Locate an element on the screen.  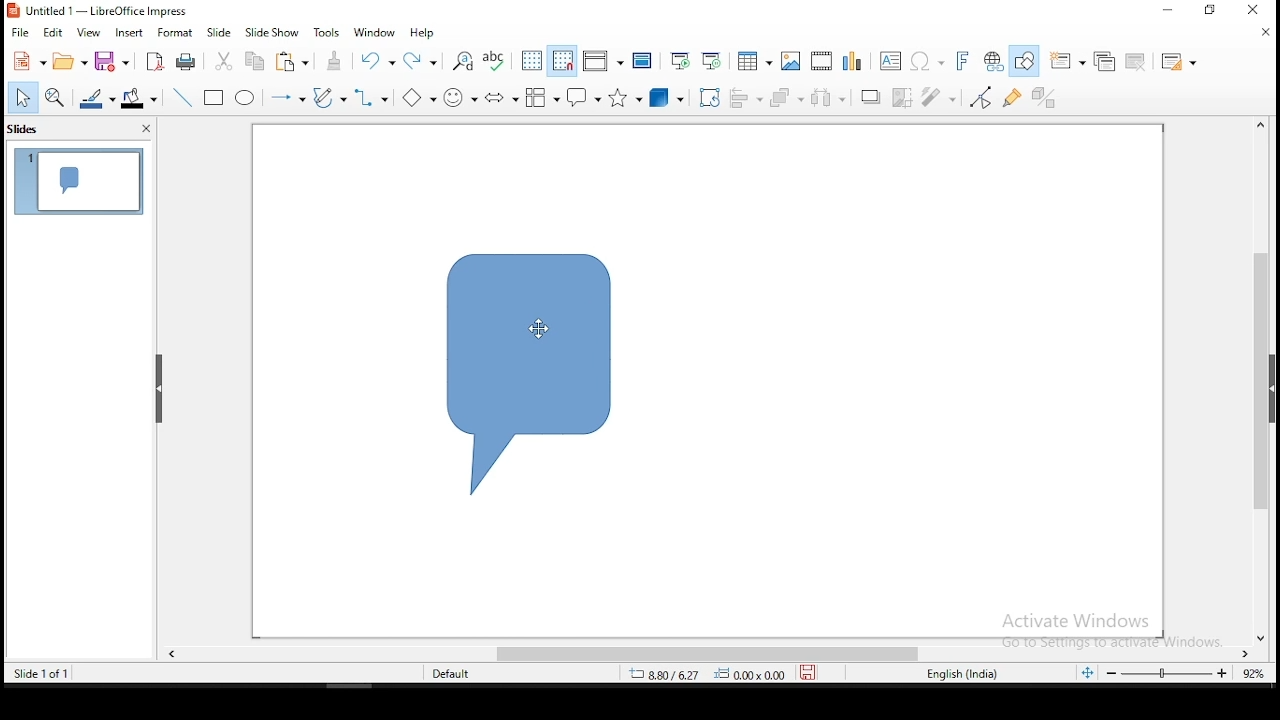
0.00x0.00 is located at coordinates (752, 675).